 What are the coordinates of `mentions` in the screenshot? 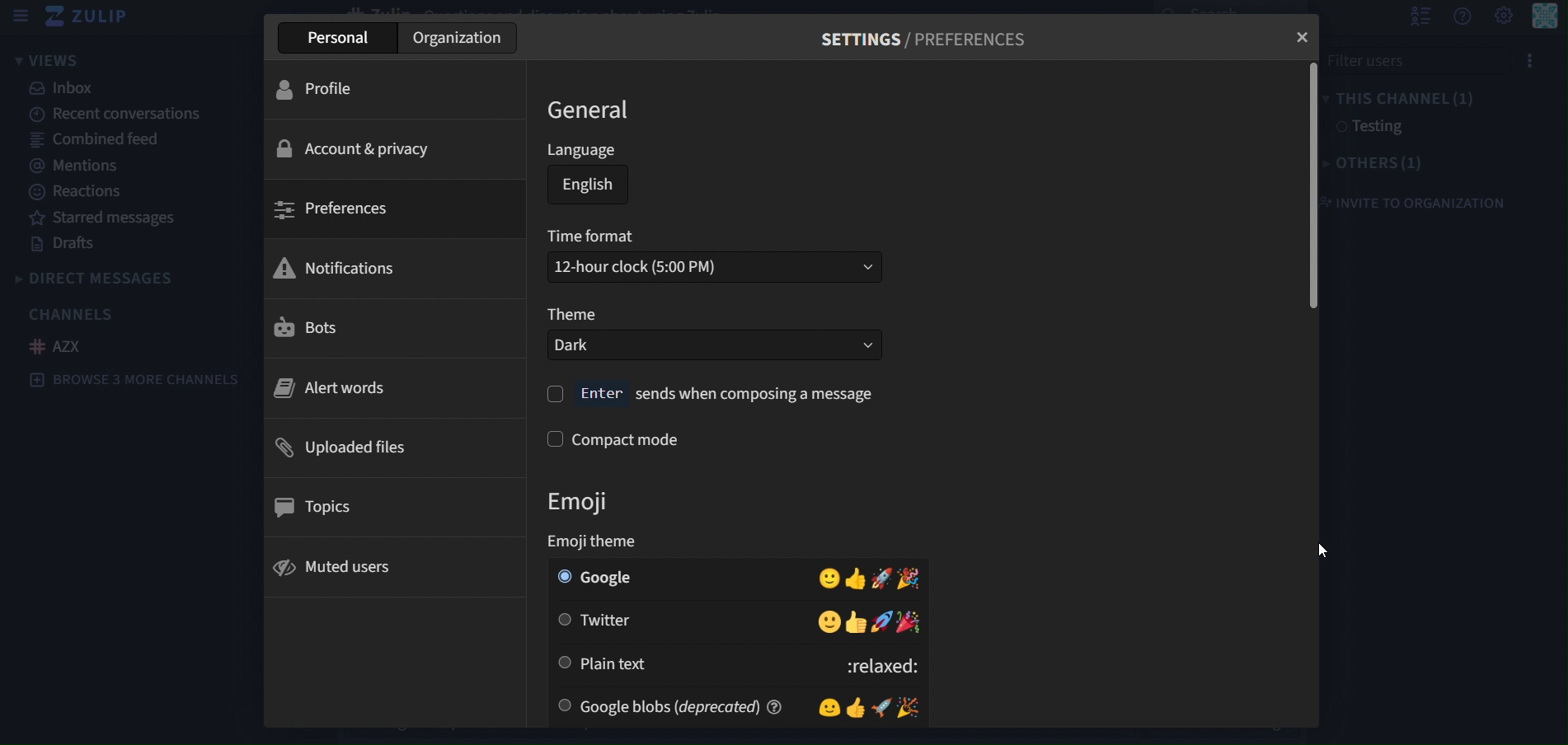 It's located at (78, 166).